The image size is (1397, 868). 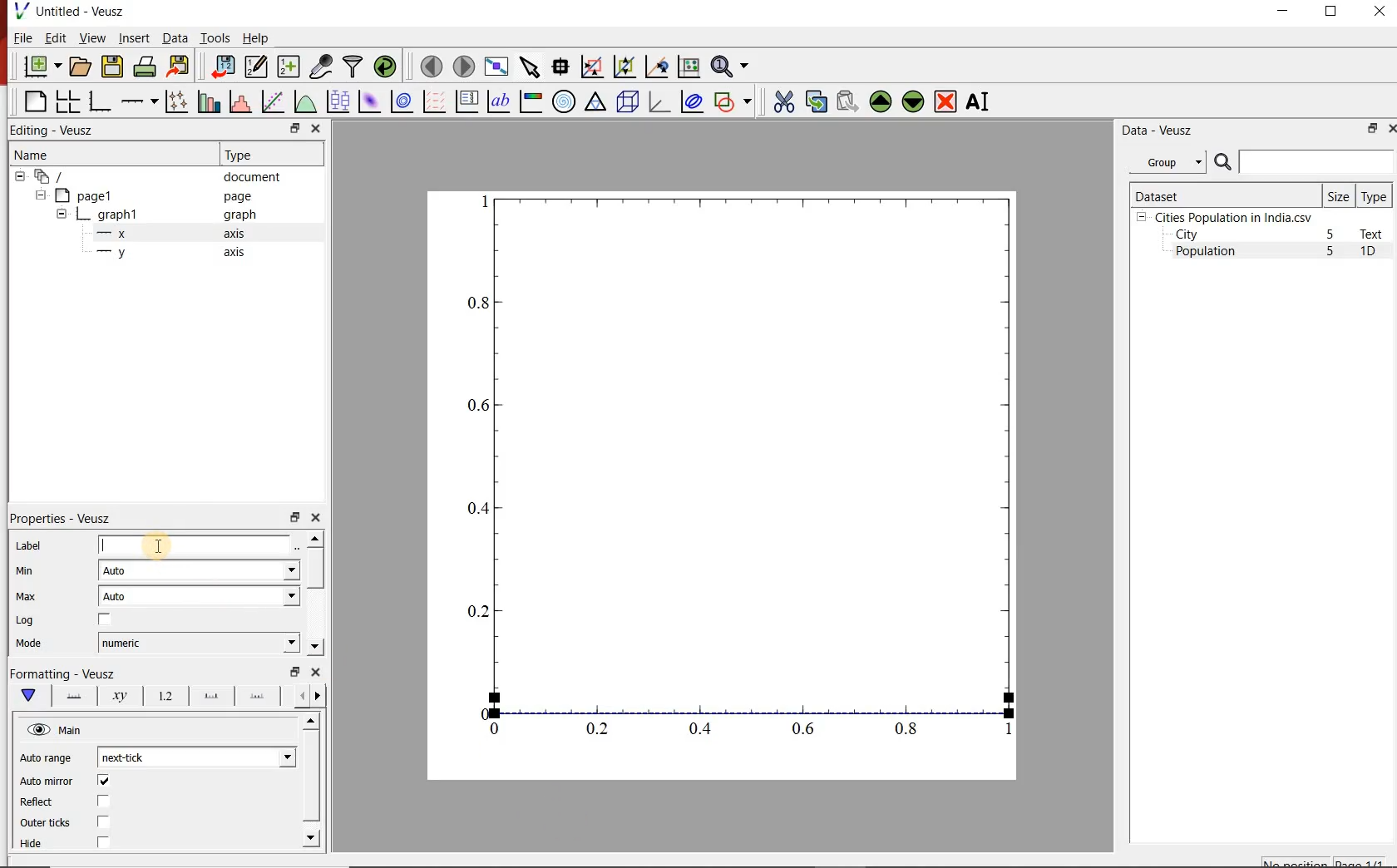 I want to click on create new datasets using available options, so click(x=286, y=67).